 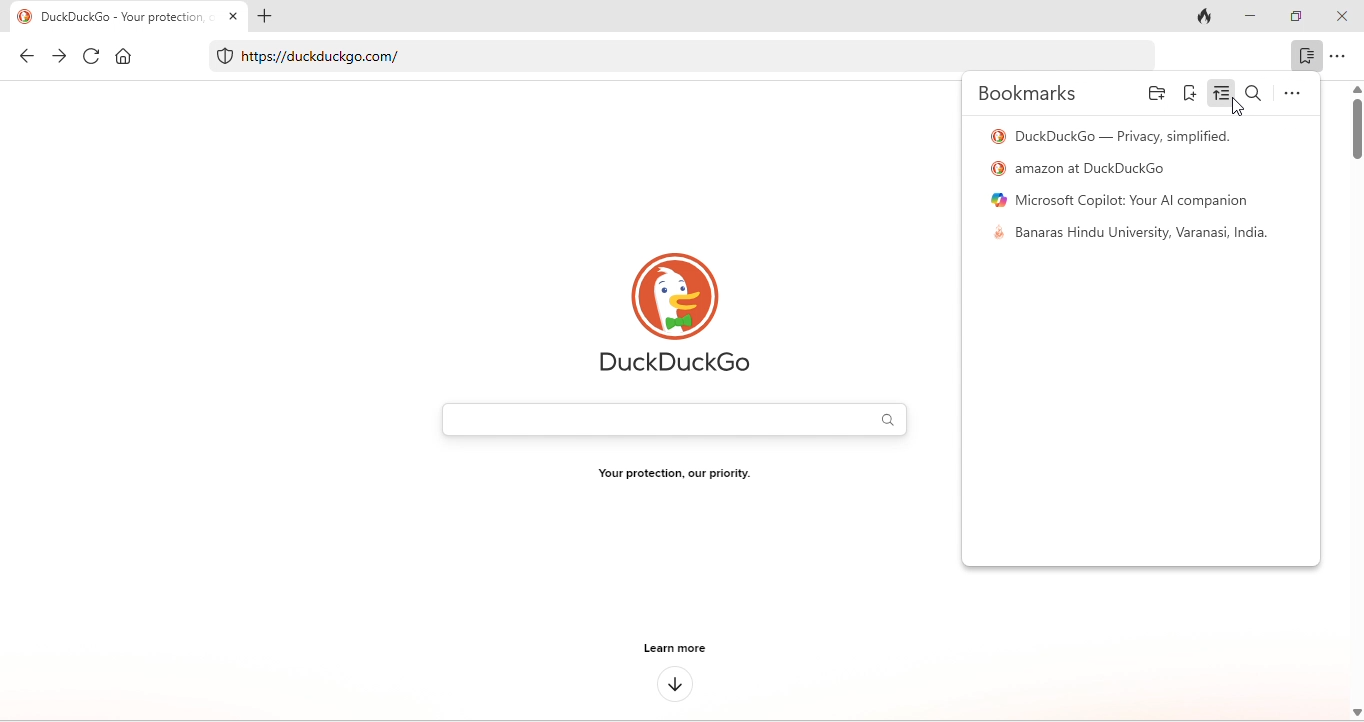 I want to click on Your protection, our priority, so click(x=676, y=477).